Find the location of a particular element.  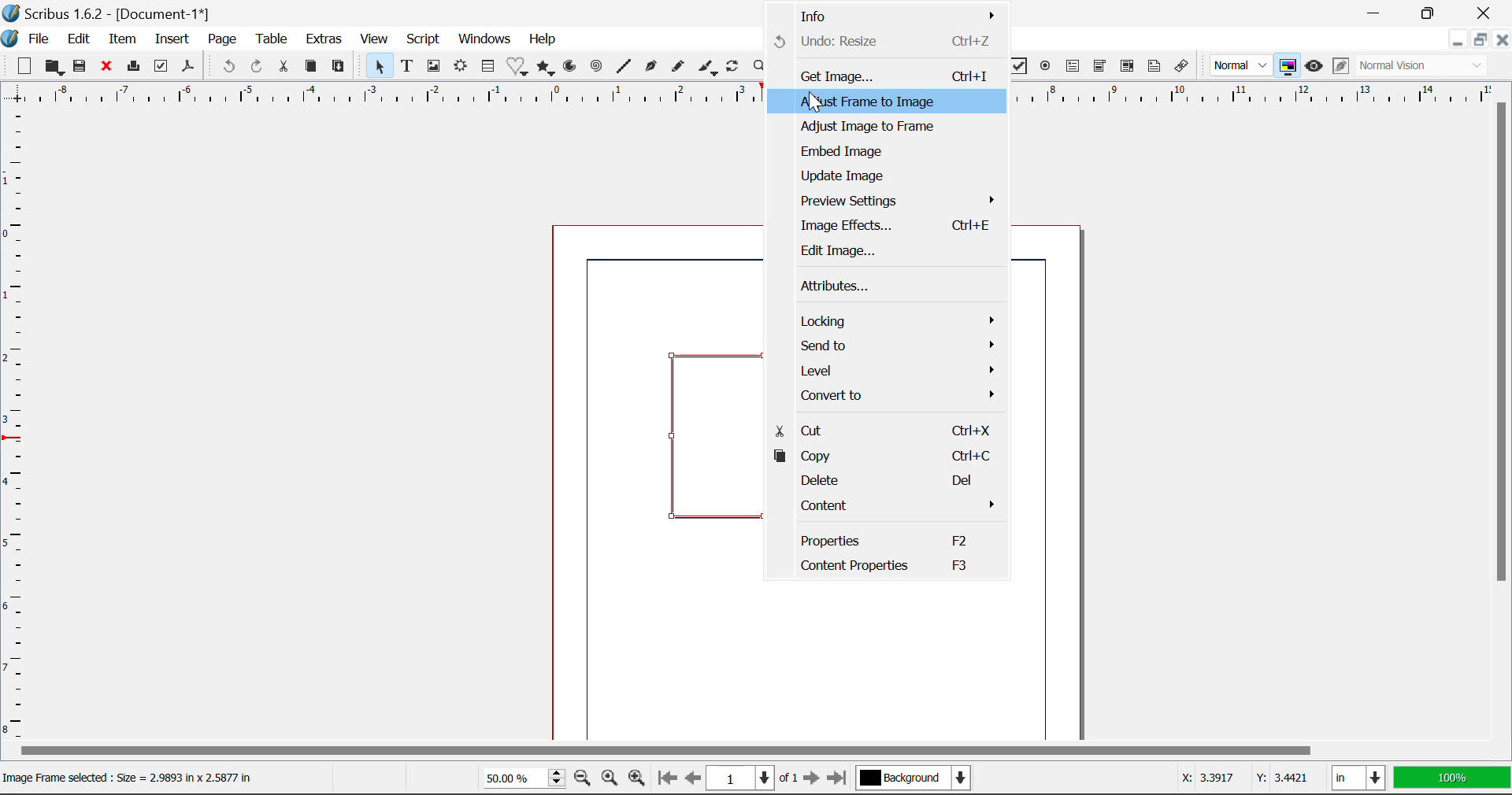

Update Image is located at coordinates (885, 176).